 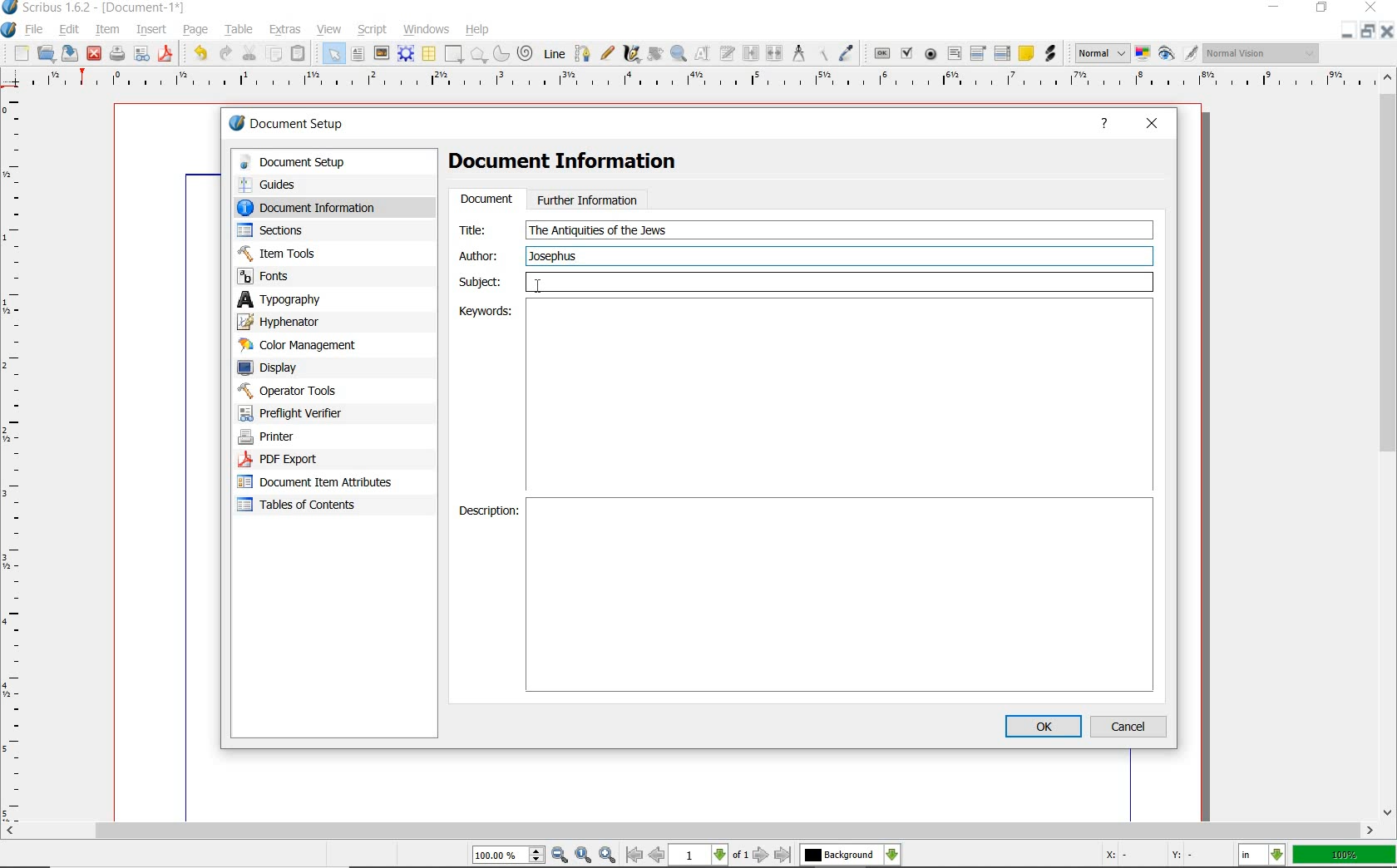 I want to click on scrollbar, so click(x=689, y=831).